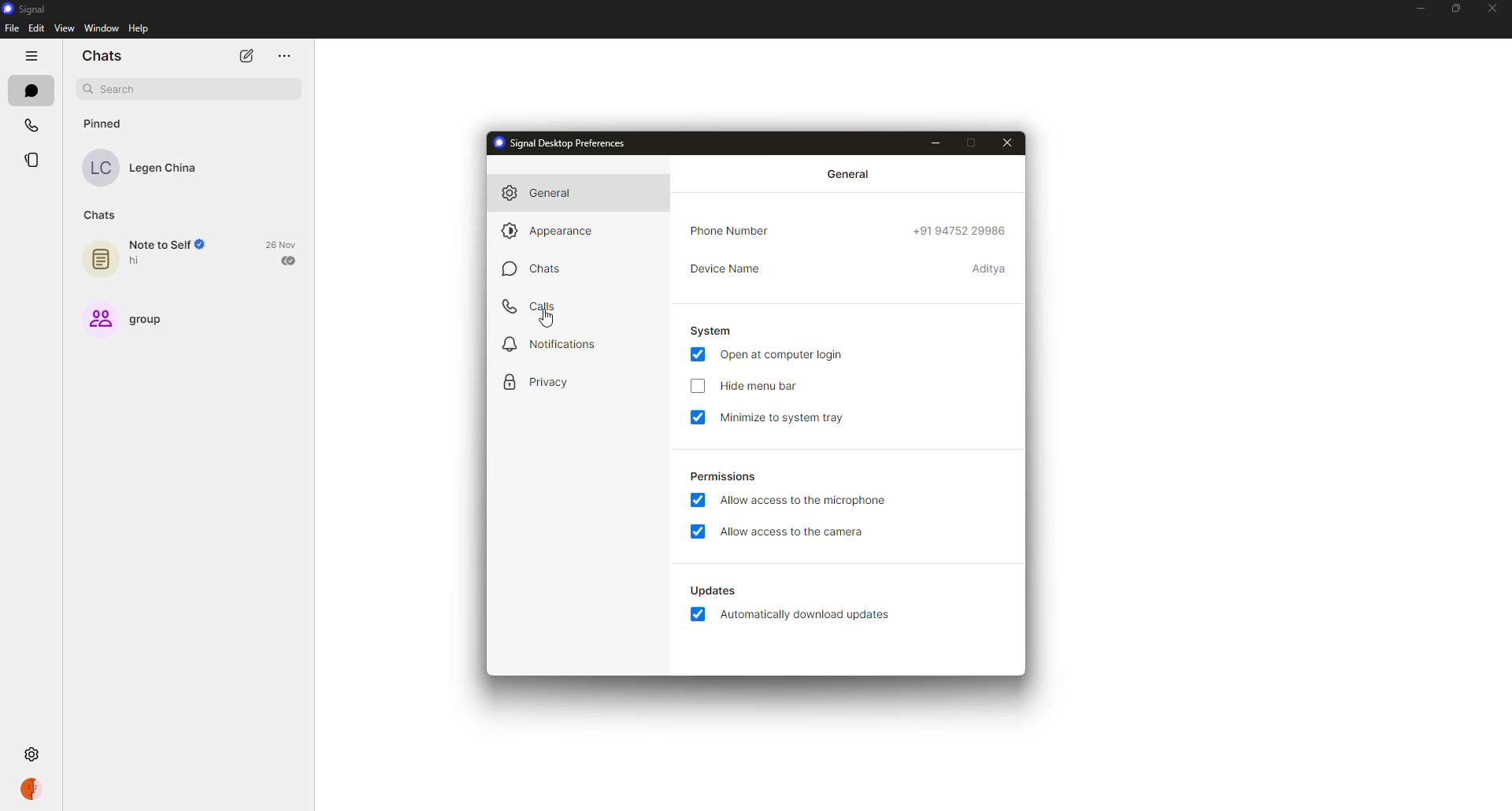 Image resolution: width=1512 pixels, height=811 pixels. Describe the element at coordinates (28, 9) in the screenshot. I see `signal` at that location.